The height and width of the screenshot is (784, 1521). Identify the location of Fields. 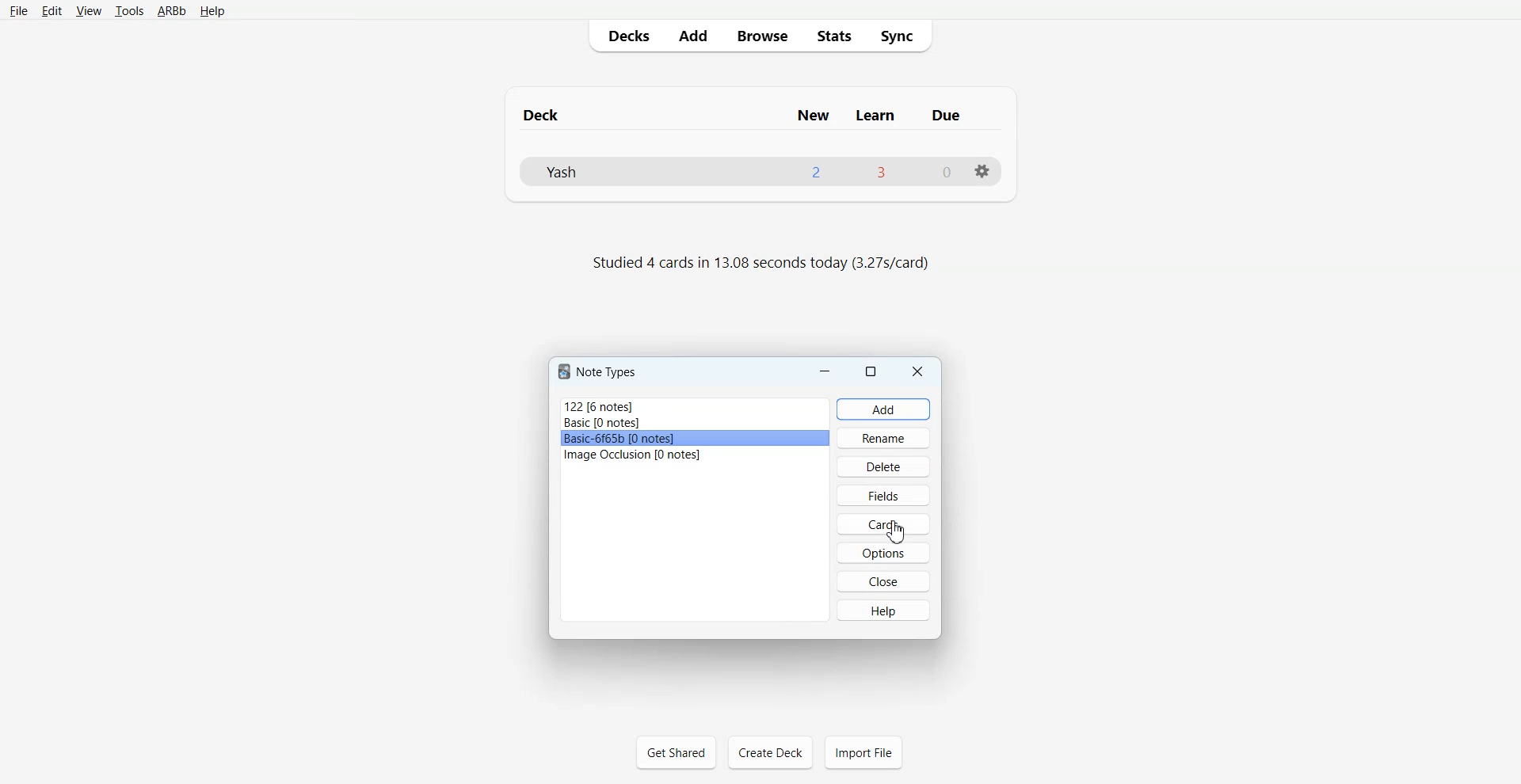
(884, 495).